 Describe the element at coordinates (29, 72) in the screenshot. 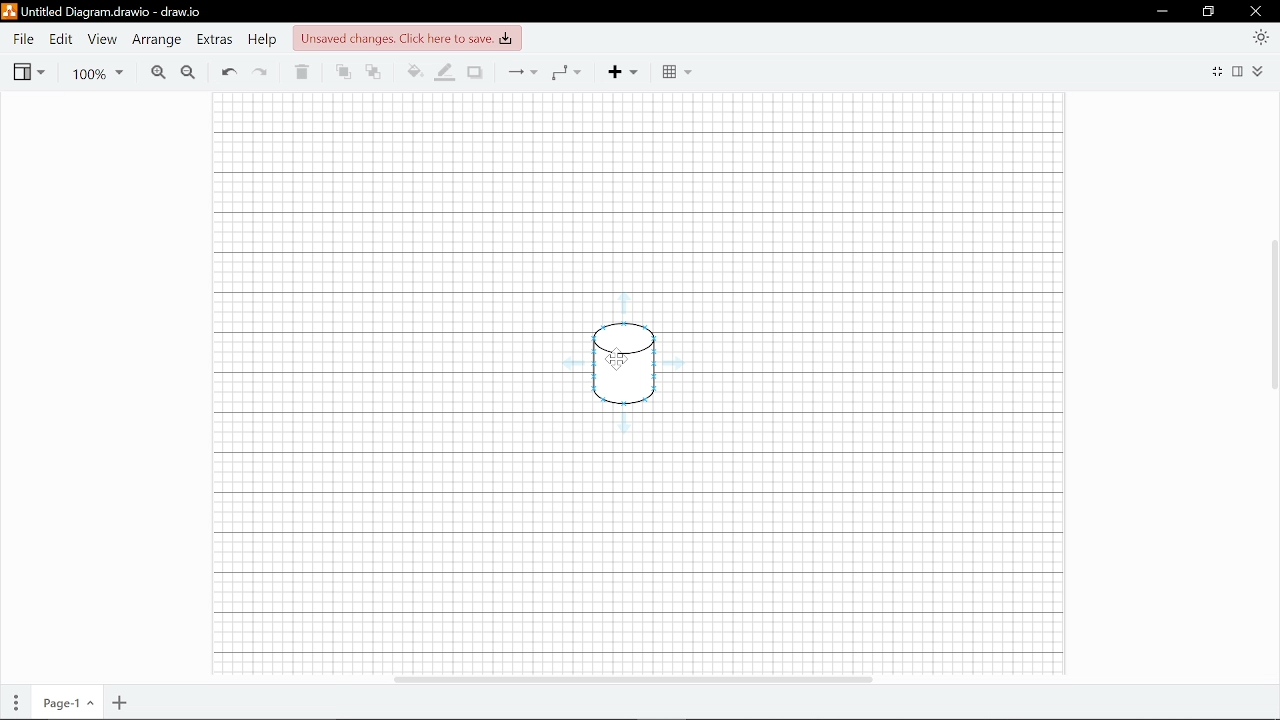

I see `View` at that location.